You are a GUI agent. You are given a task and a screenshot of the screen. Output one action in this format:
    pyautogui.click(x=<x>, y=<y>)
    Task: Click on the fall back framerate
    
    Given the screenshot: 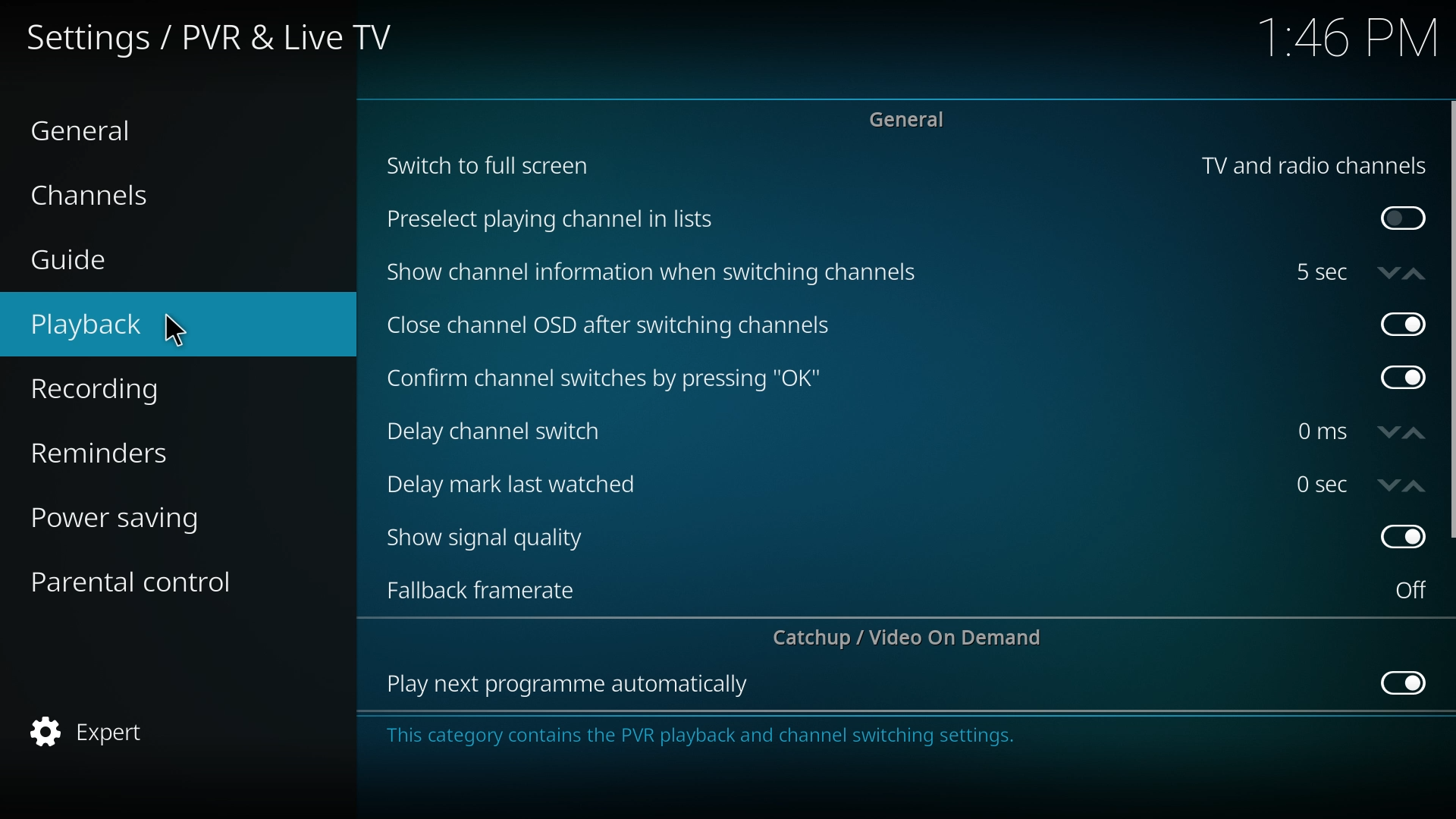 What is the action you would take?
    pyautogui.click(x=492, y=588)
    